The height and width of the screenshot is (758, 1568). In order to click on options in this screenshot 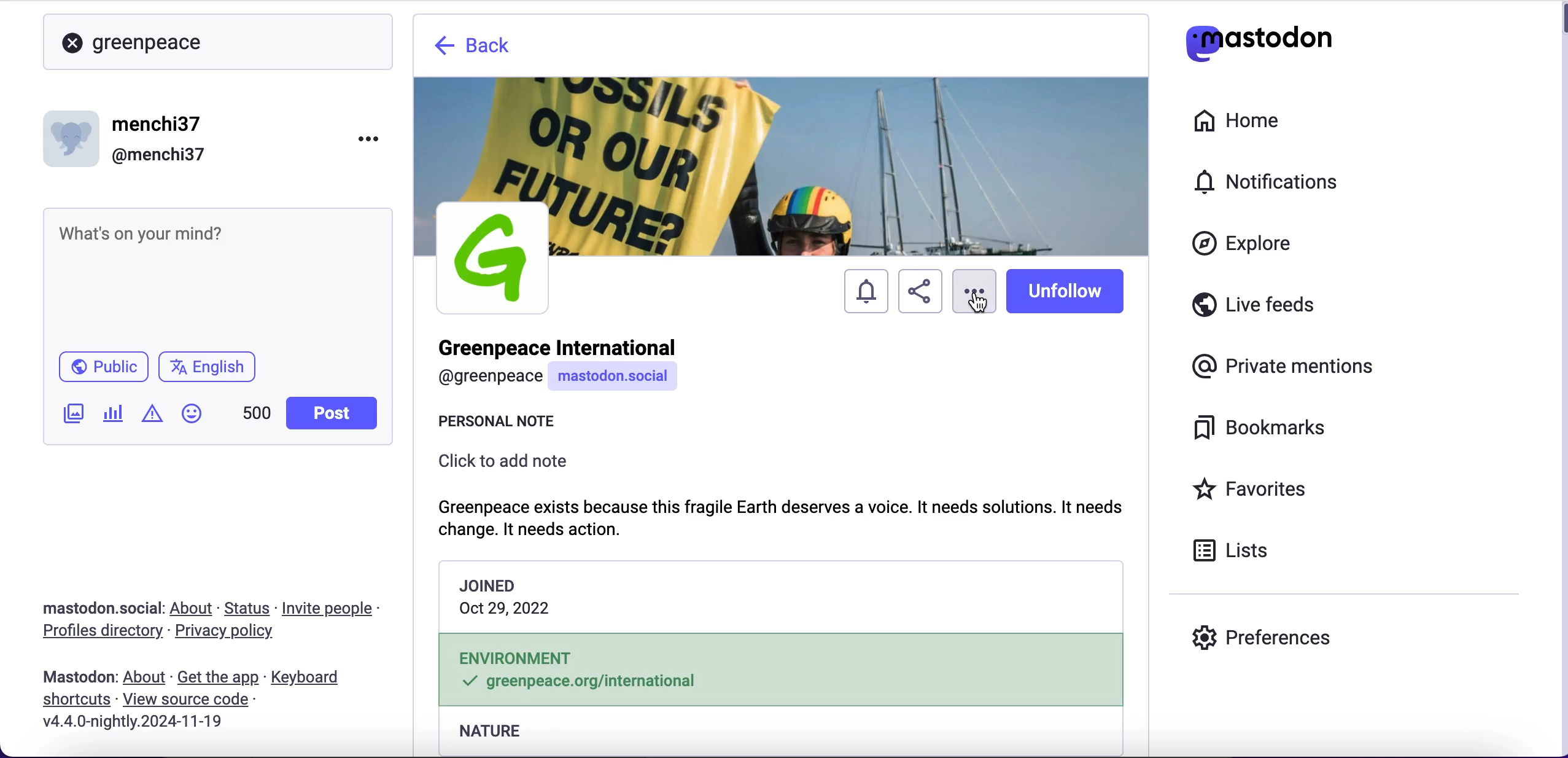, I will do `click(973, 281)`.